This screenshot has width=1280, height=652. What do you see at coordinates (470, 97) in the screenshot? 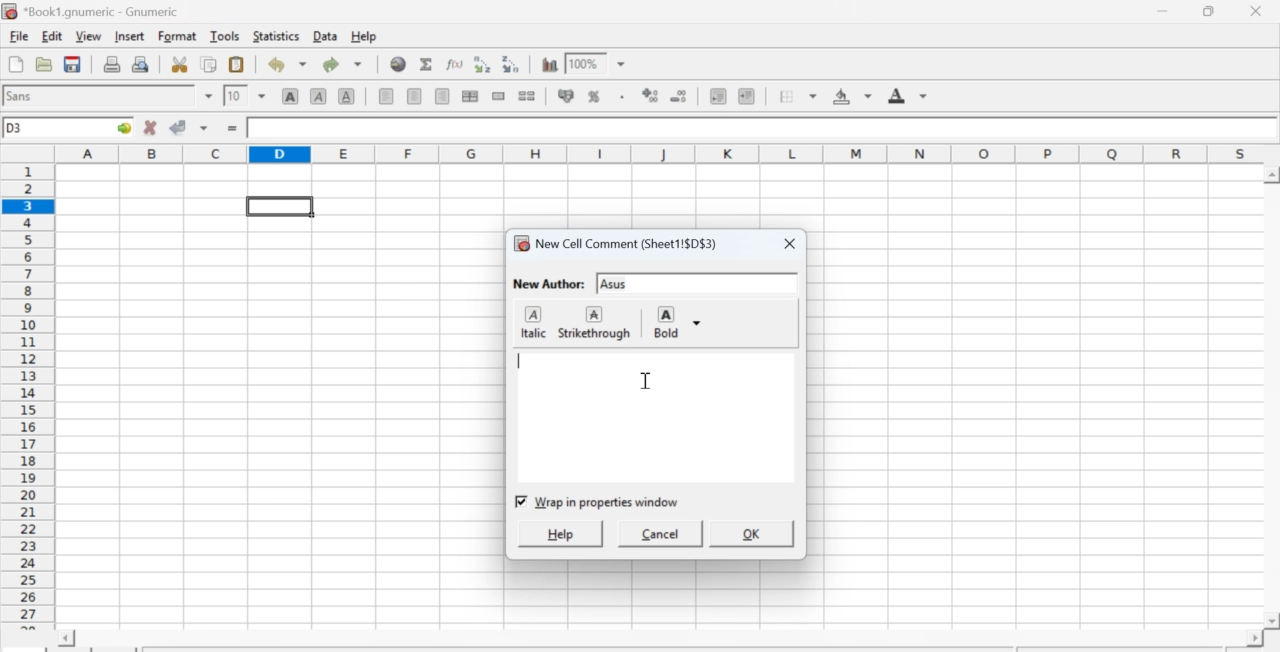
I see `Center horizontally` at bounding box center [470, 97].